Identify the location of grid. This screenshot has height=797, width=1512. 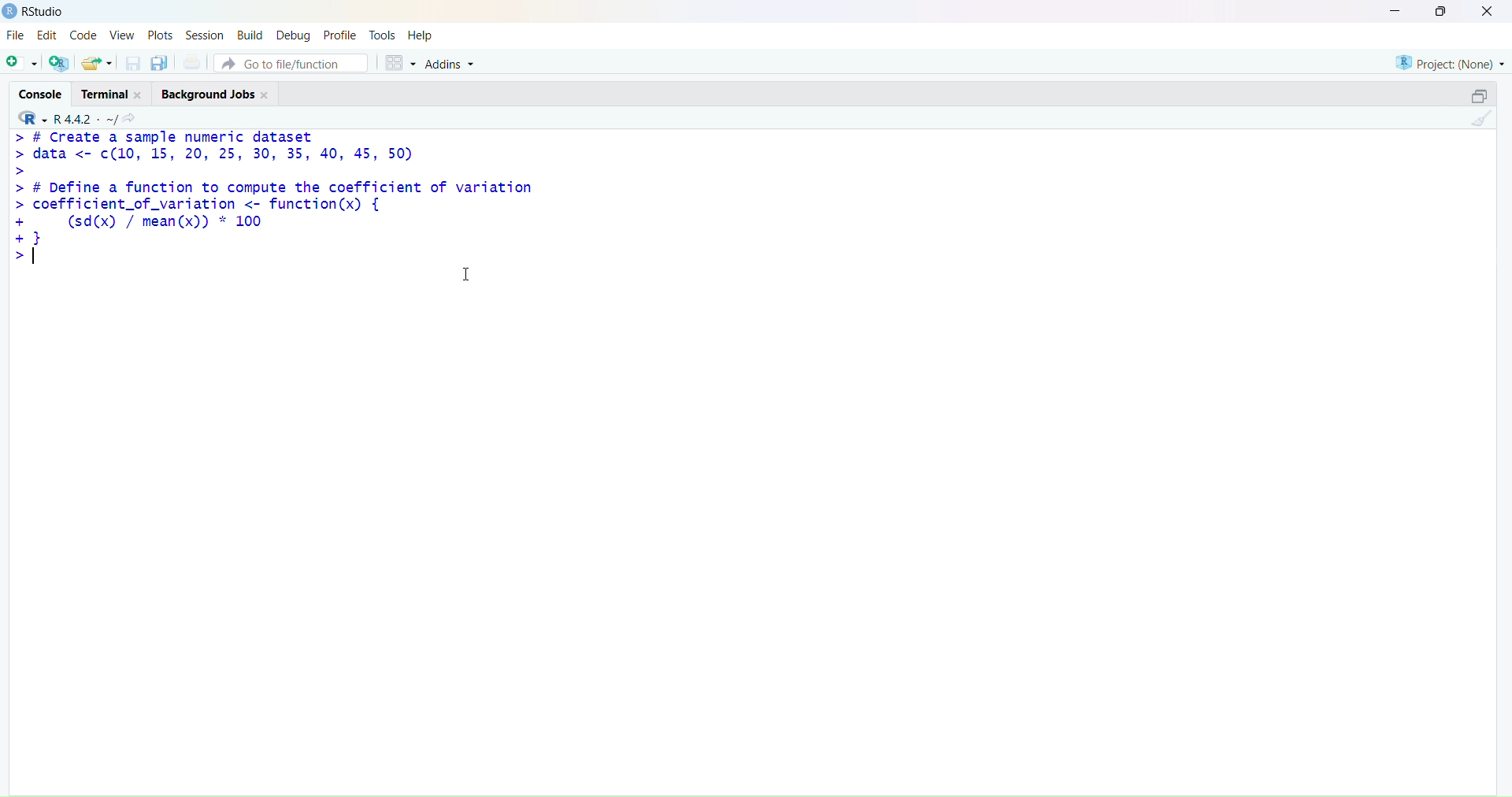
(402, 63).